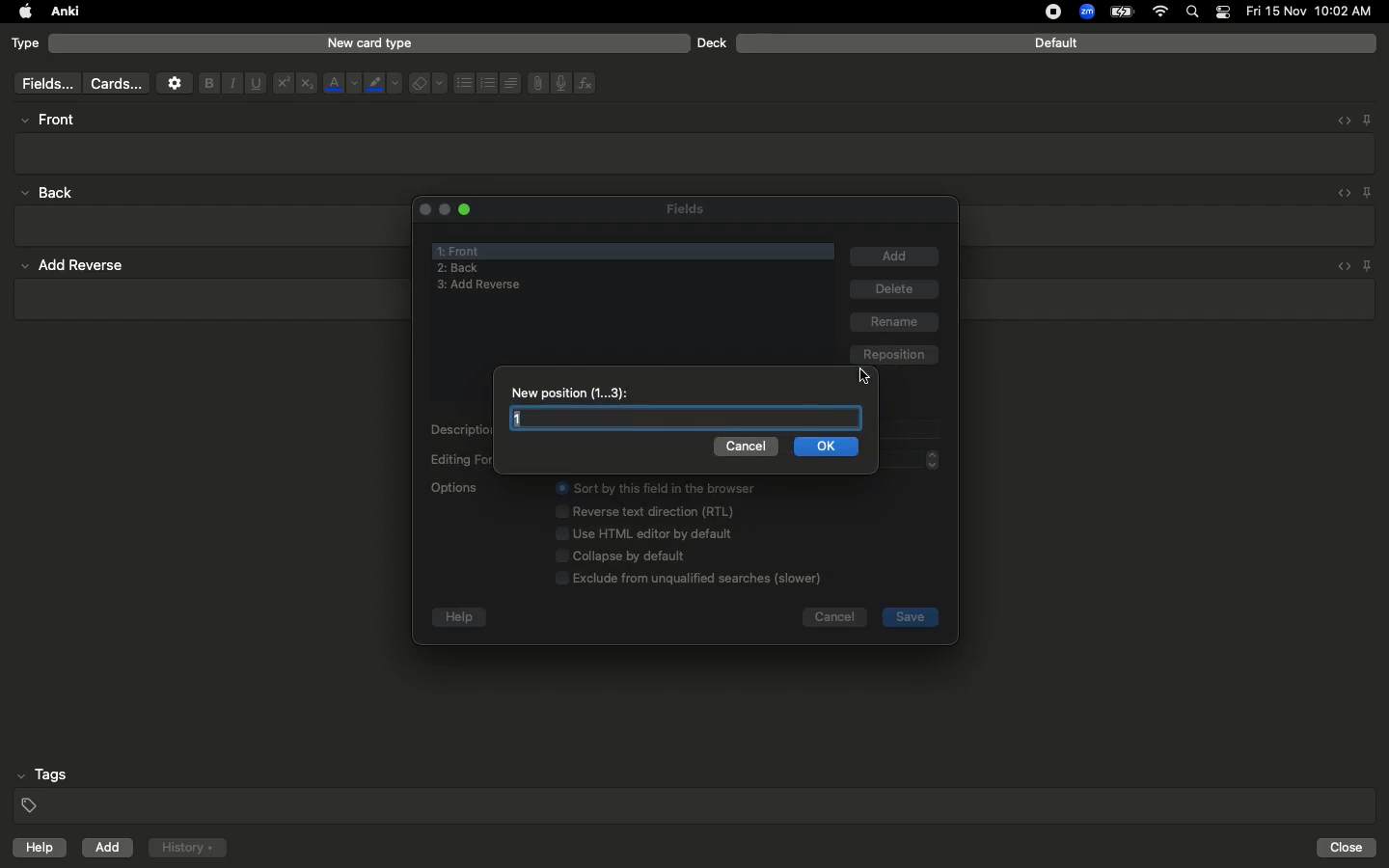 The height and width of the screenshot is (868, 1389). What do you see at coordinates (1042, 12) in the screenshot?
I see `recording` at bounding box center [1042, 12].